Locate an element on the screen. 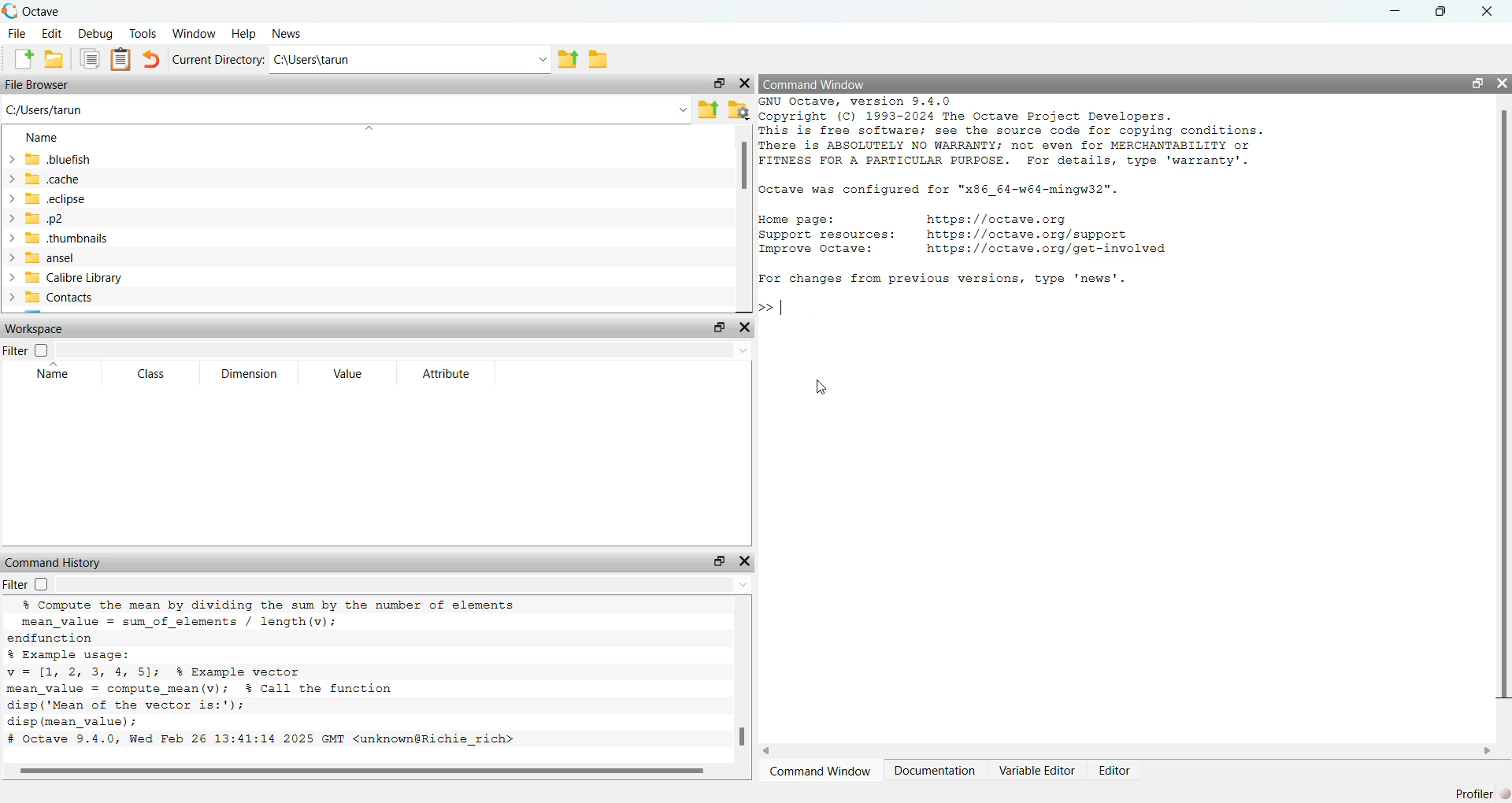  calibre library is located at coordinates (75, 279).